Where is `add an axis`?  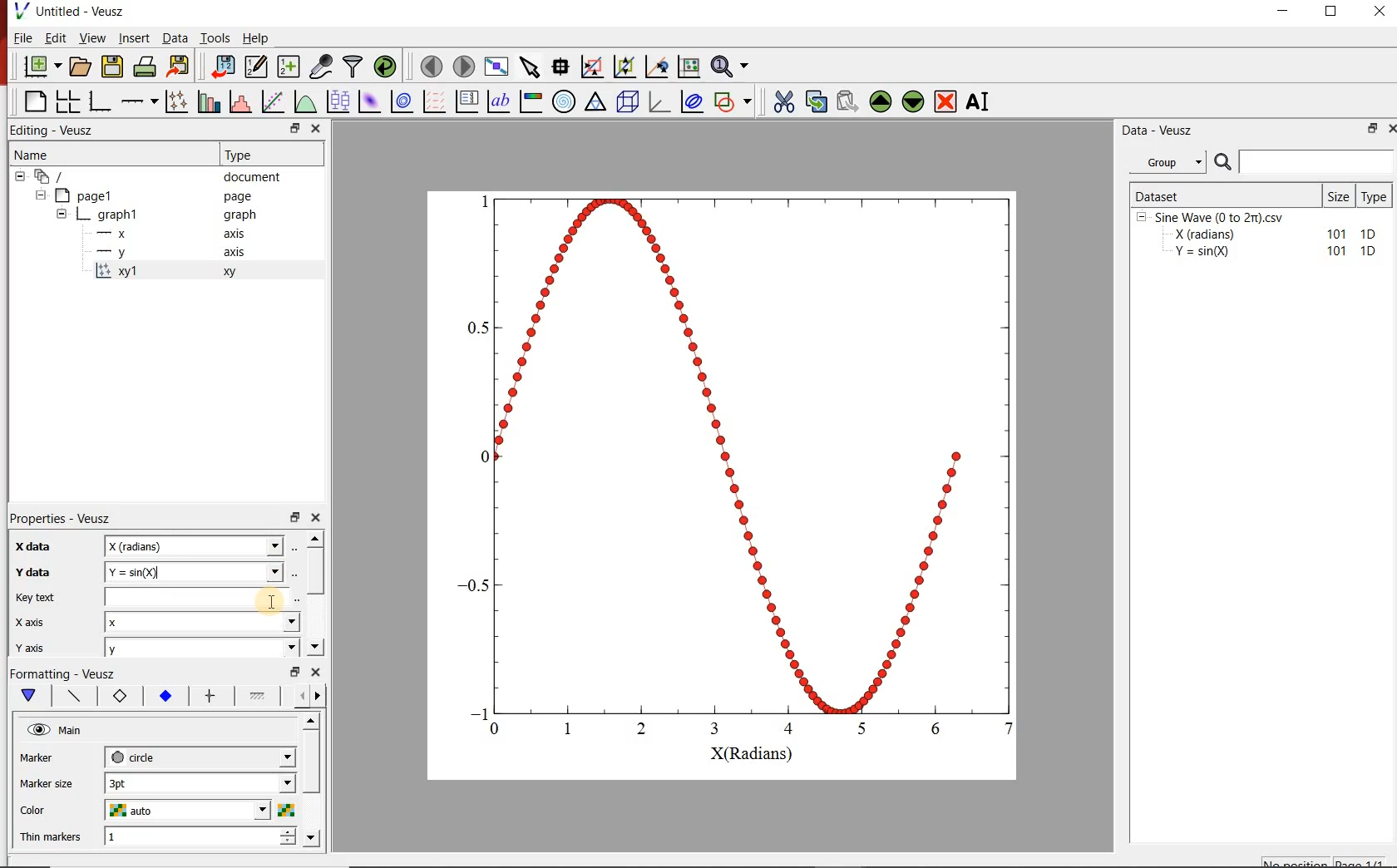
add an axis is located at coordinates (139, 101).